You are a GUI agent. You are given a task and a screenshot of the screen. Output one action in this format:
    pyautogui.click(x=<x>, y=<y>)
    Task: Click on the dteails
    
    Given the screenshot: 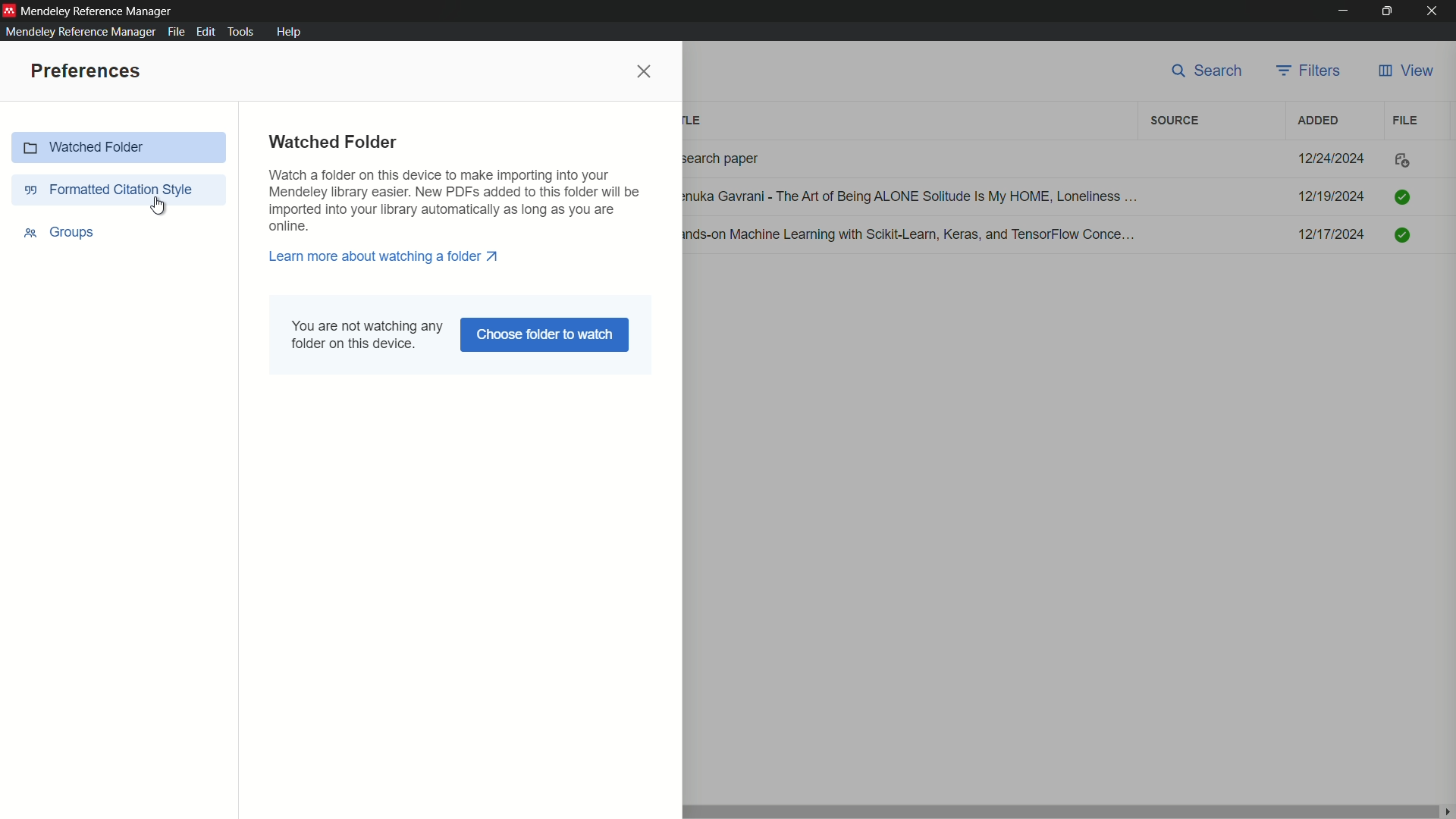 What is the action you would take?
    pyautogui.click(x=1053, y=199)
    